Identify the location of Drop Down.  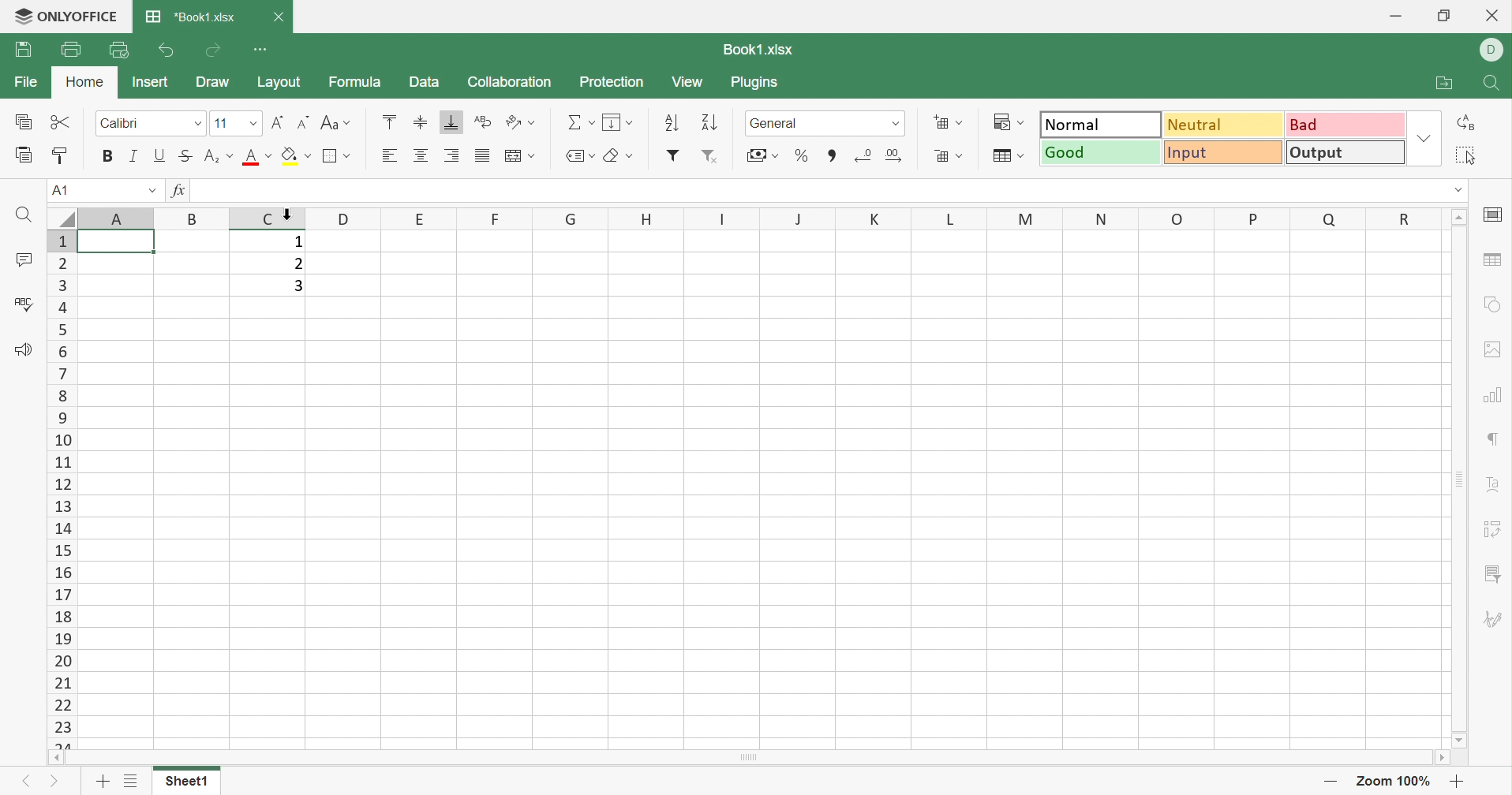
(961, 155).